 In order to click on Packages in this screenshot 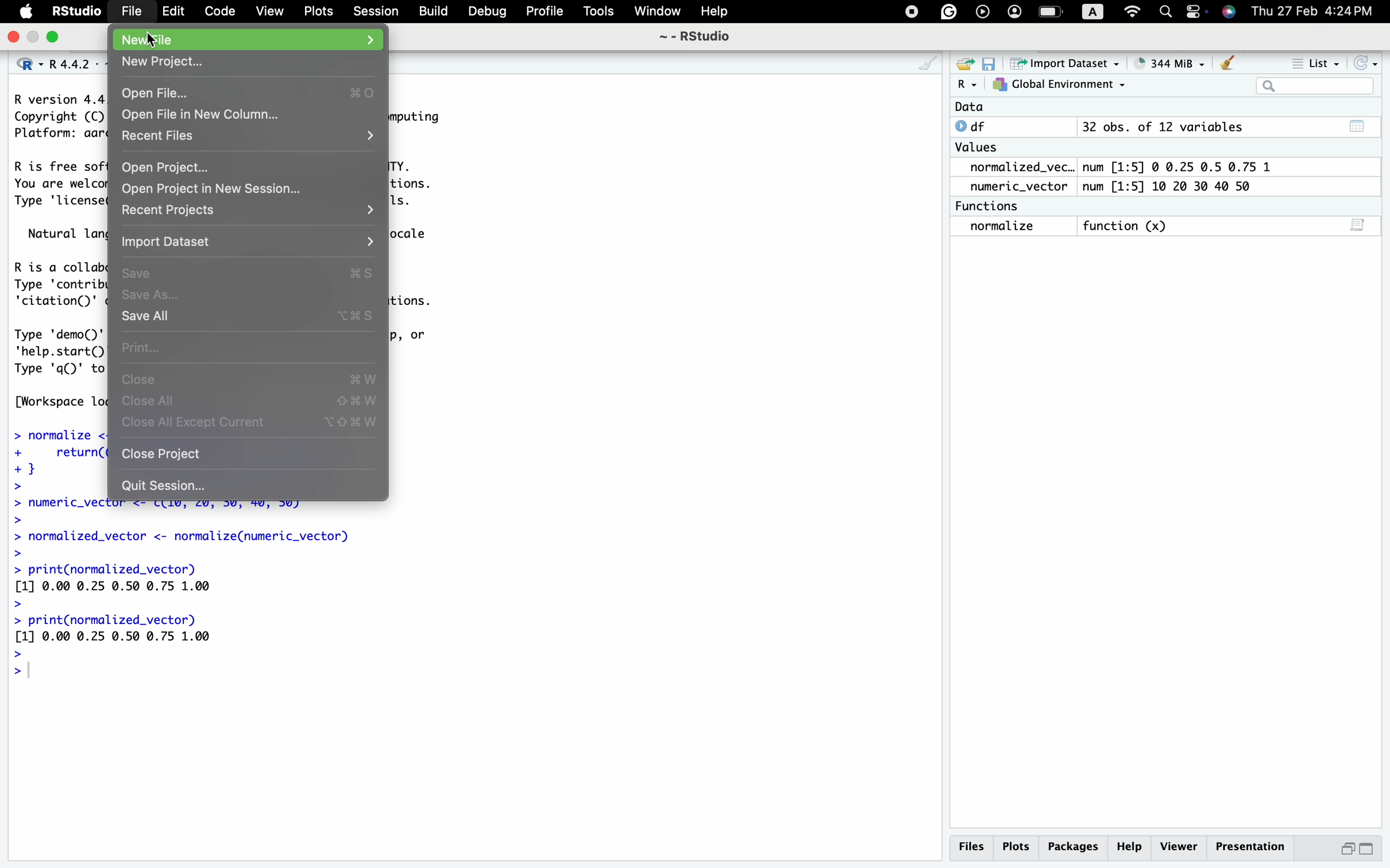, I will do `click(1074, 849)`.